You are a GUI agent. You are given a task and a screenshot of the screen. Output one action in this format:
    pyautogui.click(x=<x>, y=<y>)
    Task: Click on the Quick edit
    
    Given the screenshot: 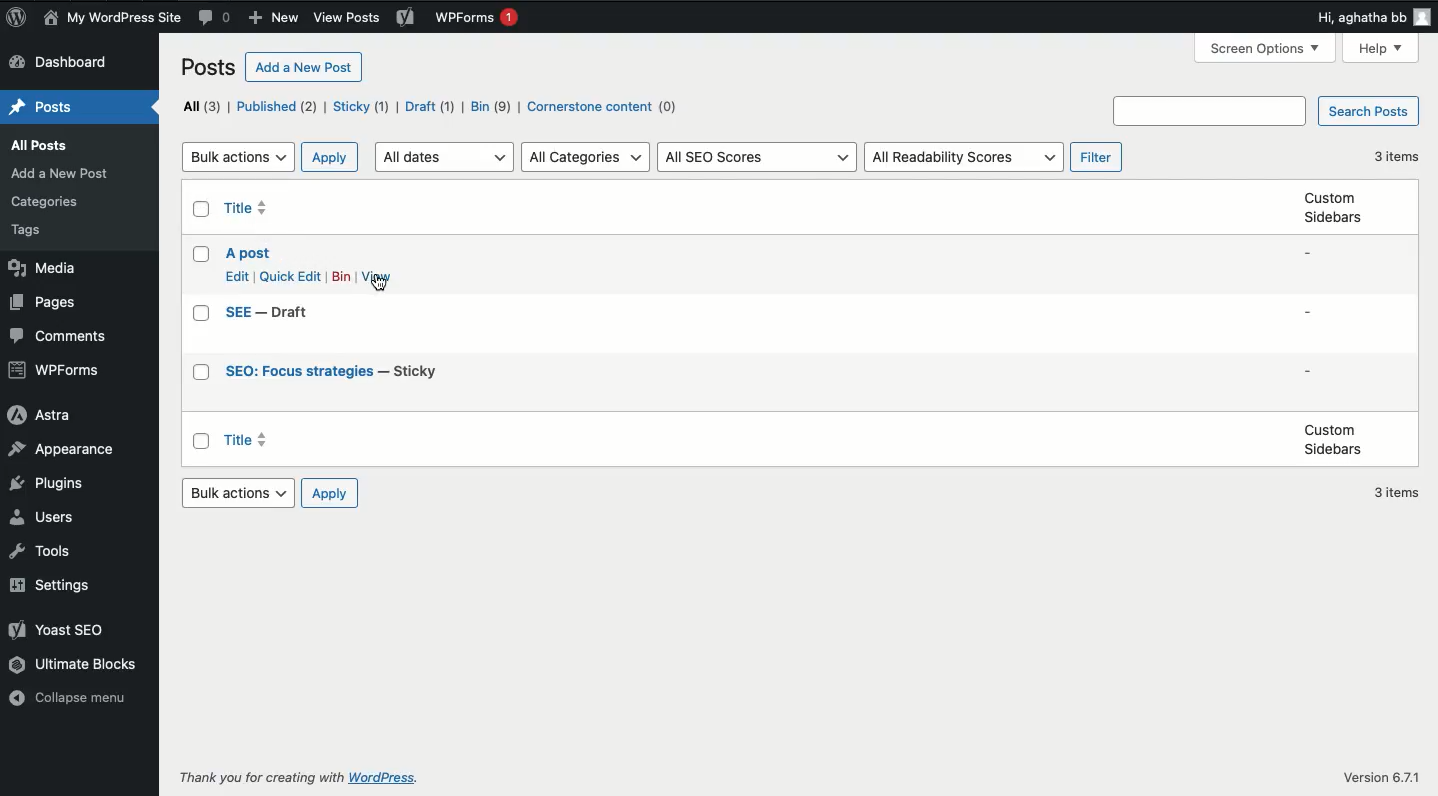 What is the action you would take?
    pyautogui.click(x=291, y=276)
    